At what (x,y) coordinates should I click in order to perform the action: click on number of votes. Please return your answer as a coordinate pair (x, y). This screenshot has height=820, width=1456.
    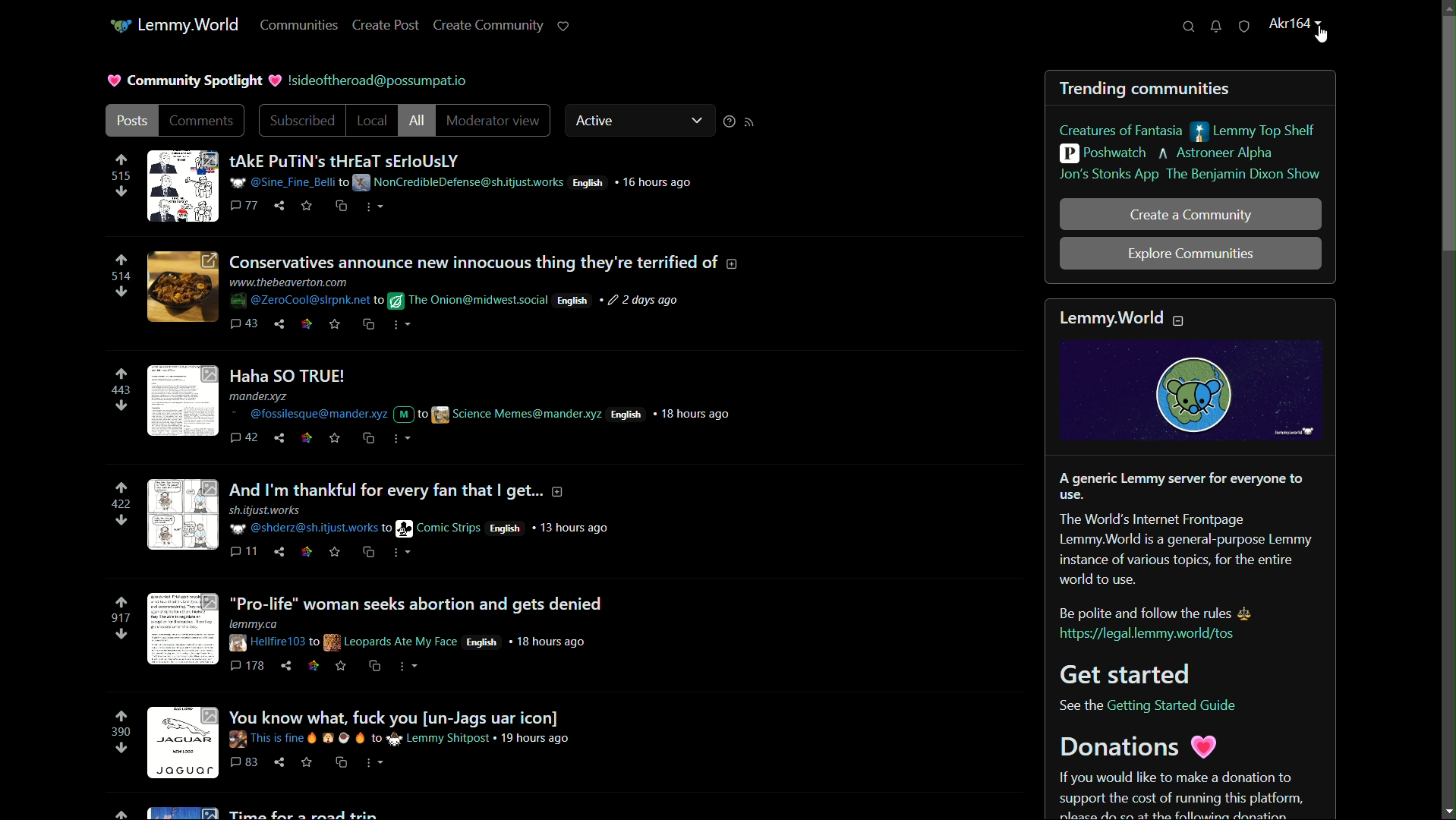
    Looking at the image, I should click on (120, 619).